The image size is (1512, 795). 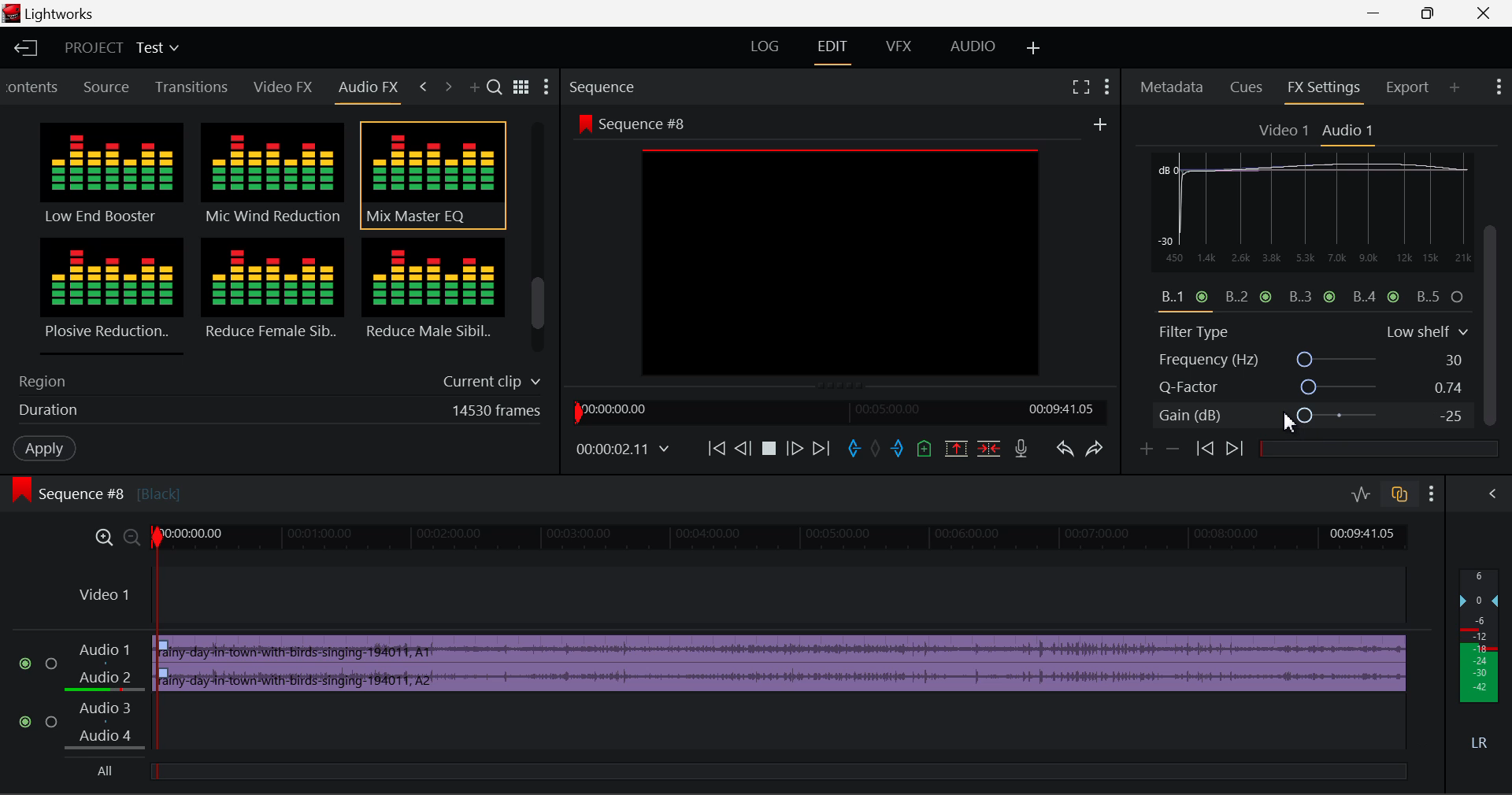 What do you see at coordinates (1167, 164) in the screenshot?
I see `EQ Menu Open` at bounding box center [1167, 164].